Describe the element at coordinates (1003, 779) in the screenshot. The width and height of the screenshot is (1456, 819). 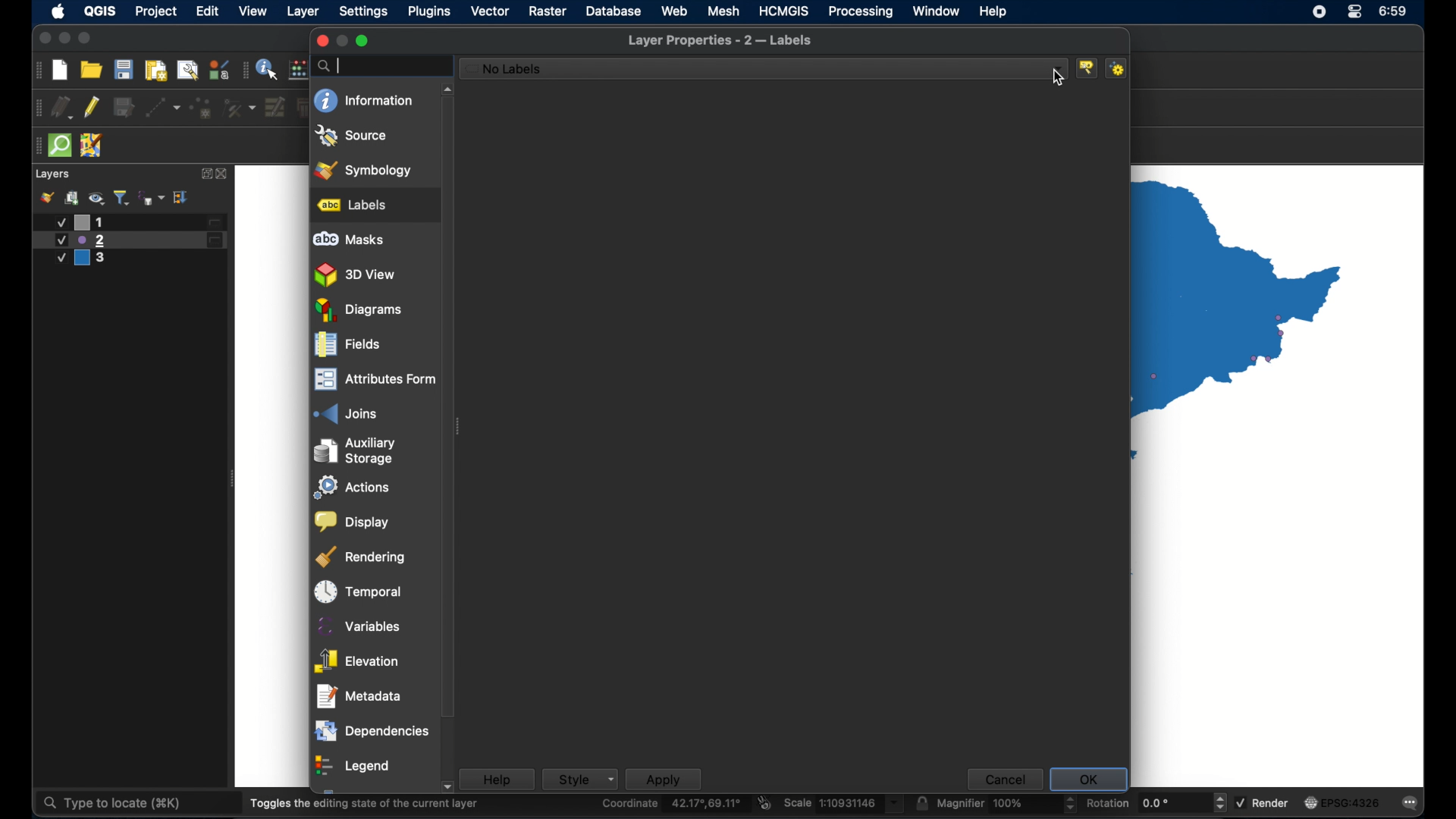
I see `cancel` at that location.